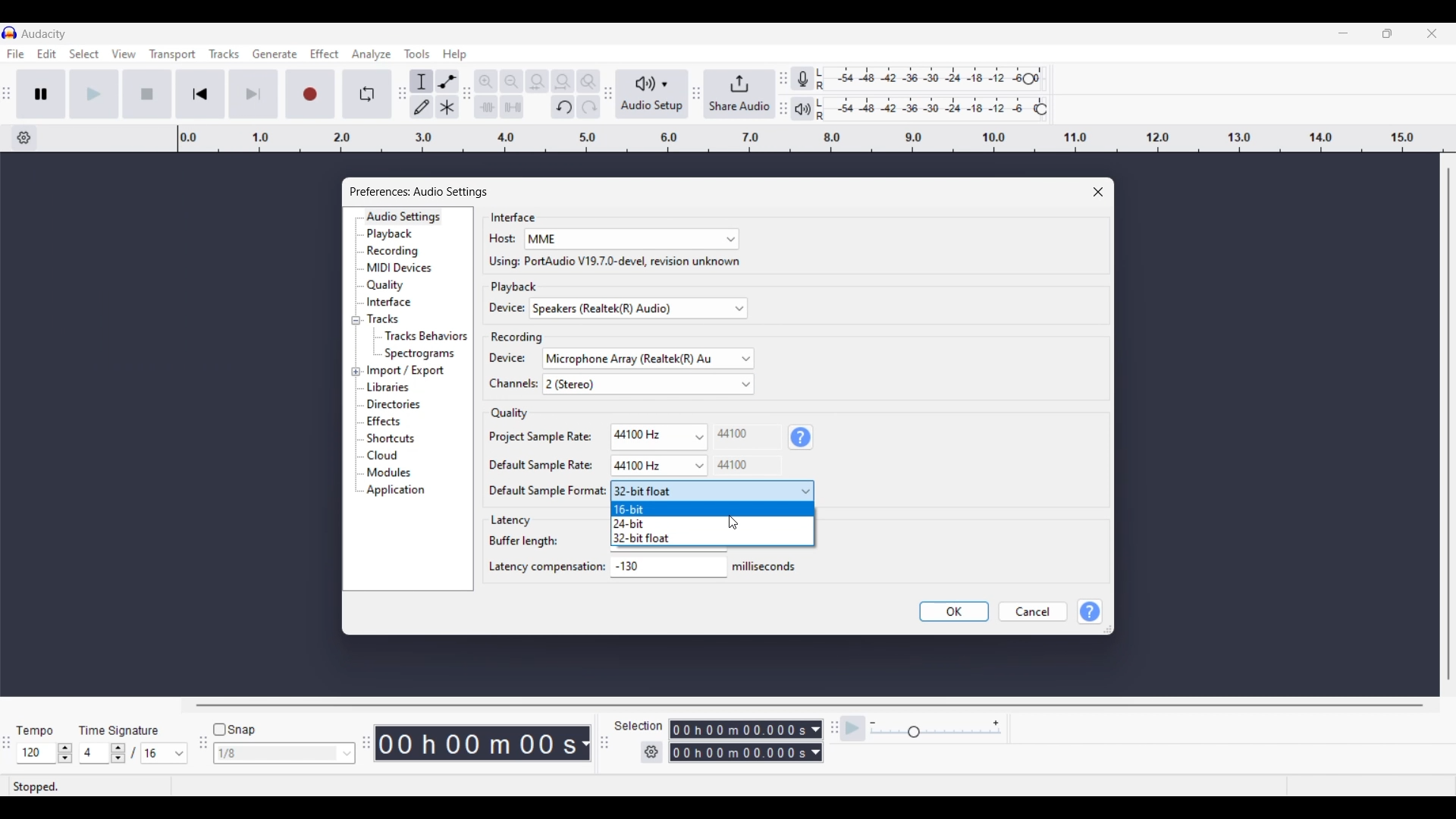 This screenshot has width=1456, height=819. What do you see at coordinates (1033, 612) in the screenshot?
I see `Cancel inputs made` at bounding box center [1033, 612].